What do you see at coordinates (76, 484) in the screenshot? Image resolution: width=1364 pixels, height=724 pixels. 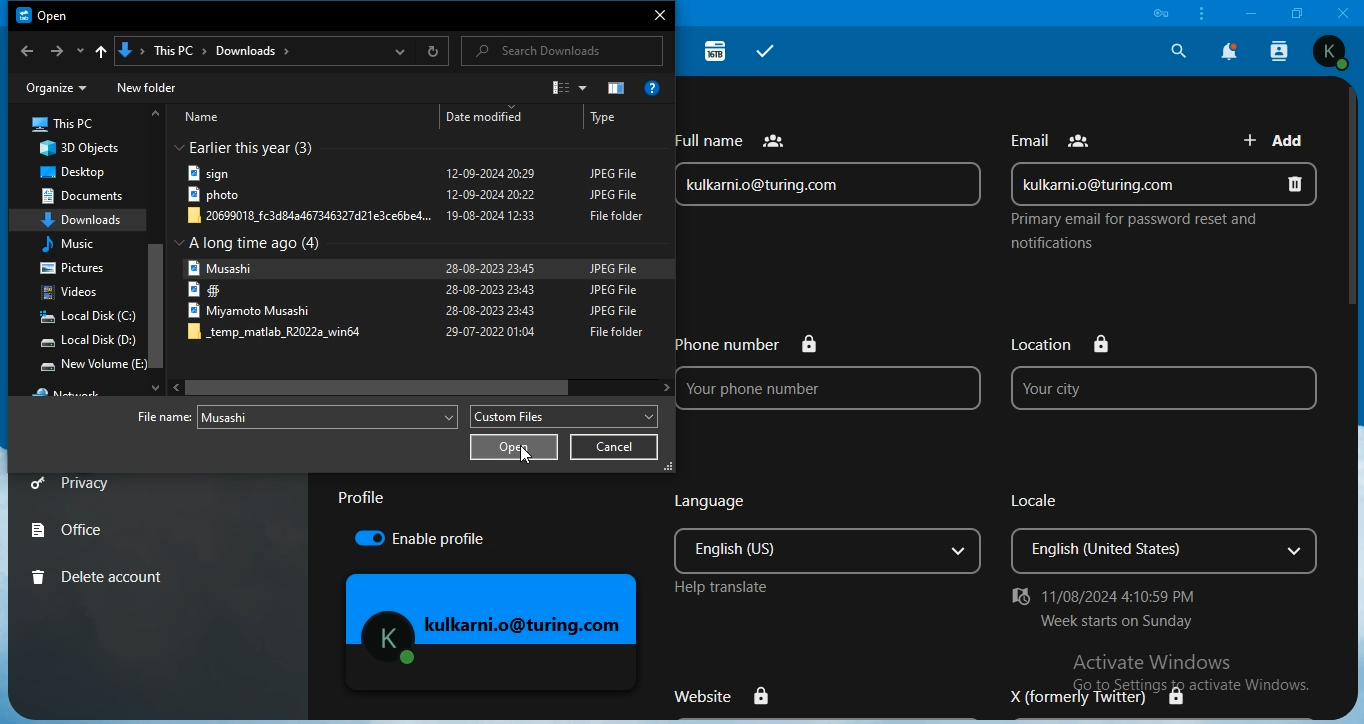 I see `privacy` at bounding box center [76, 484].